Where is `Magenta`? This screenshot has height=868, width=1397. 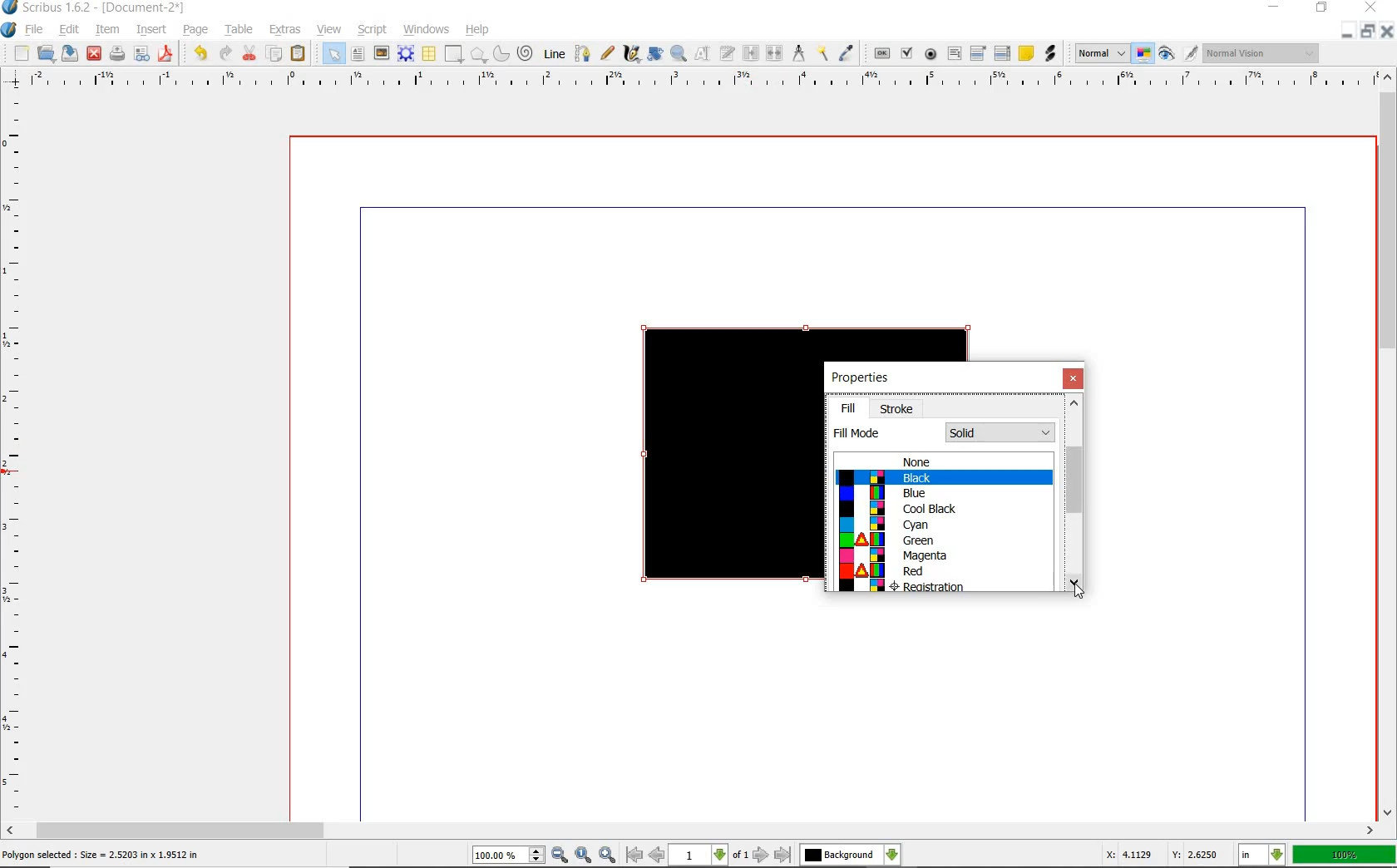
Magenta is located at coordinates (942, 555).